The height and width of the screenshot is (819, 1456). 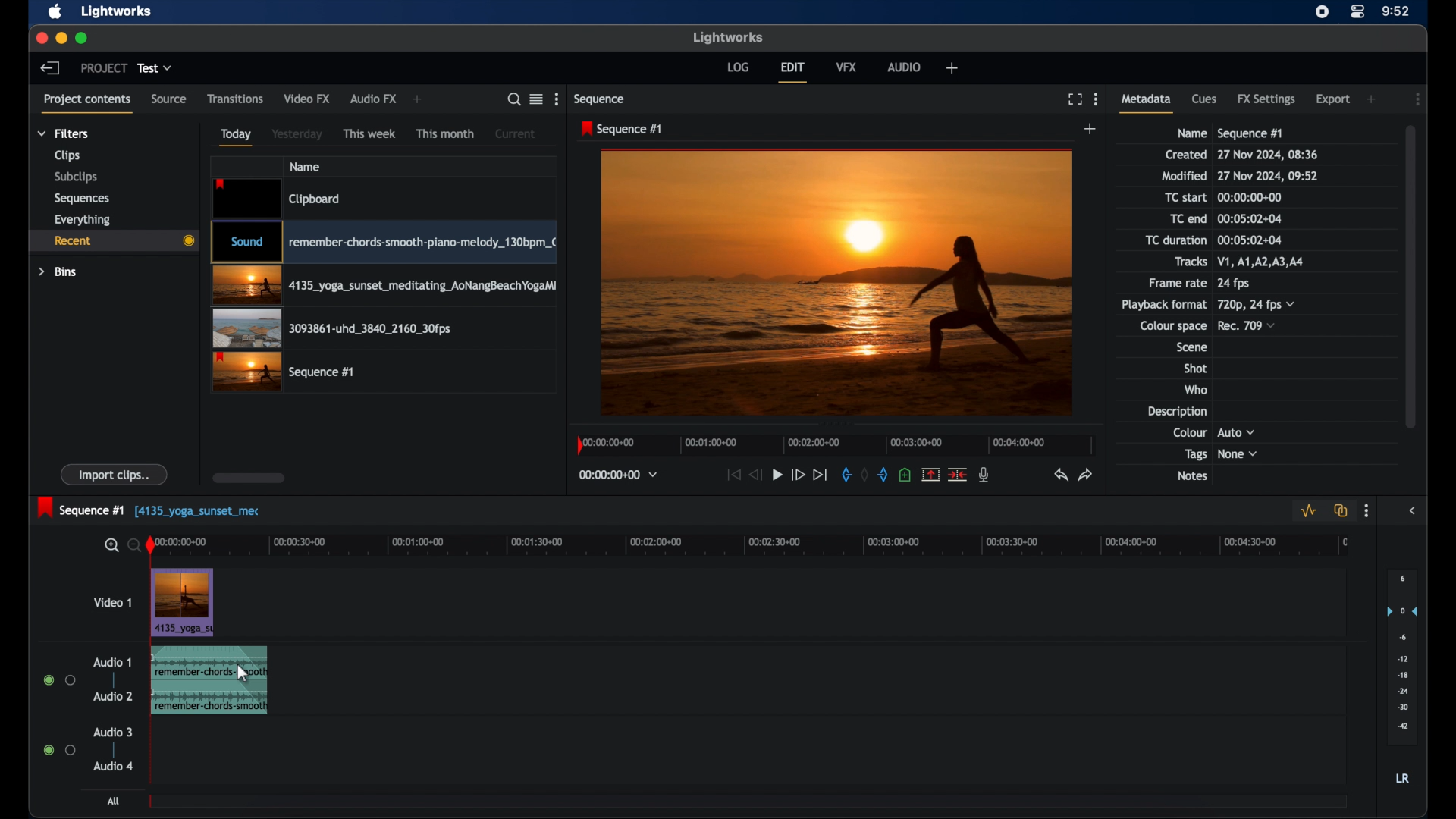 I want to click on TC end, so click(x=1178, y=218).